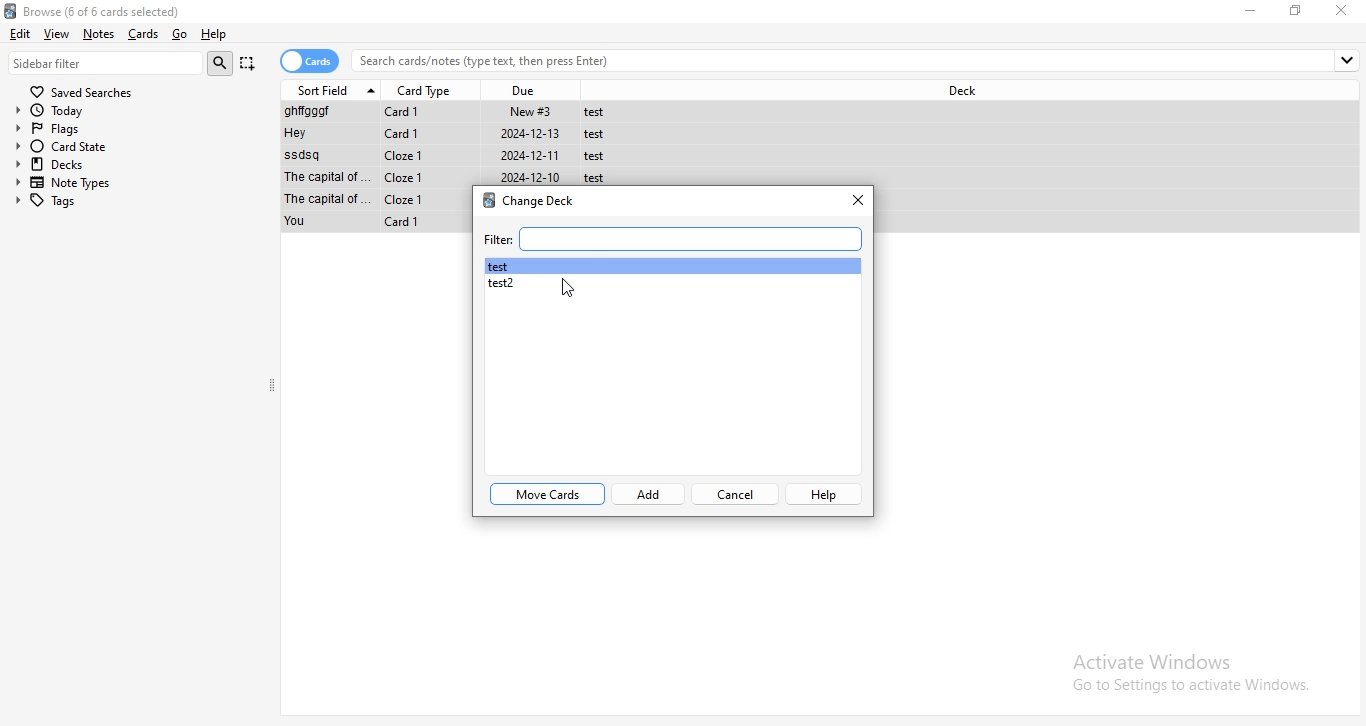 Image resolution: width=1366 pixels, height=726 pixels. Describe the element at coordinates (311, 61) in the screenshot. I see `cards` at that location.